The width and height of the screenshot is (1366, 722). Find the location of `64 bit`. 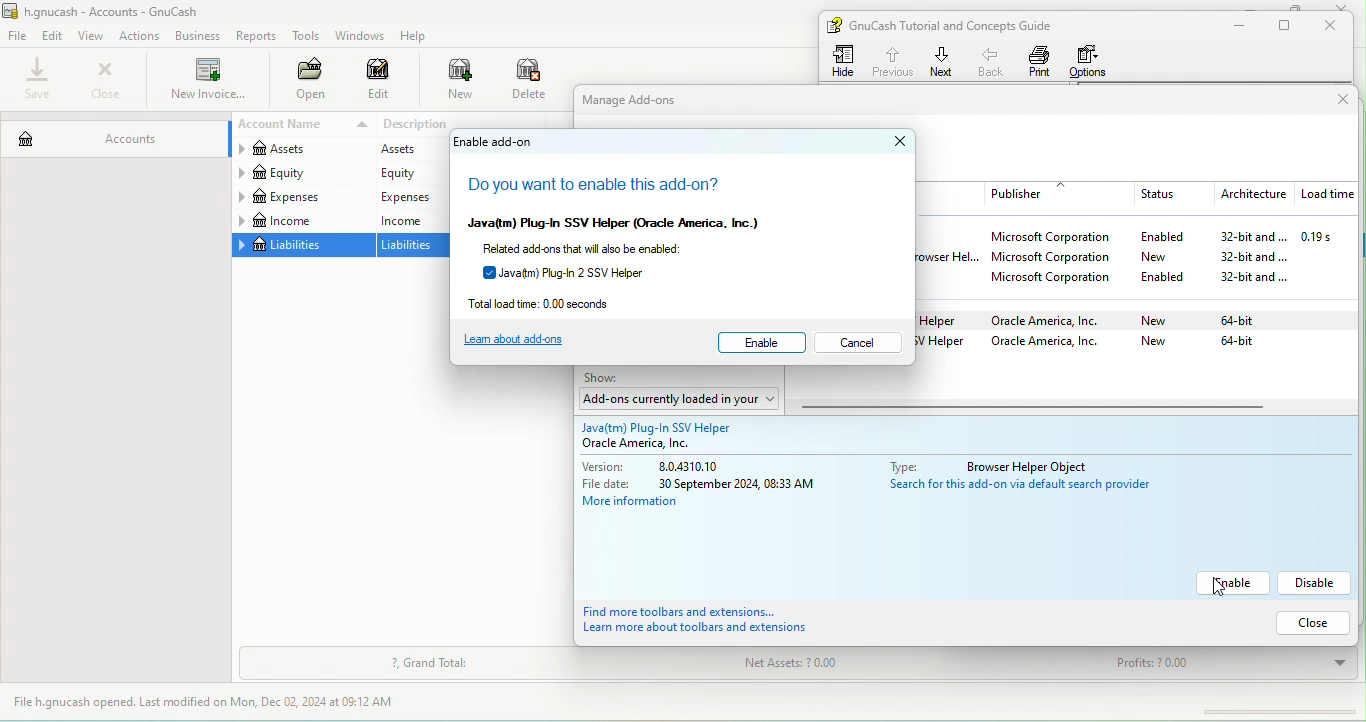

64 bit is located at coordinates (1244, 319).